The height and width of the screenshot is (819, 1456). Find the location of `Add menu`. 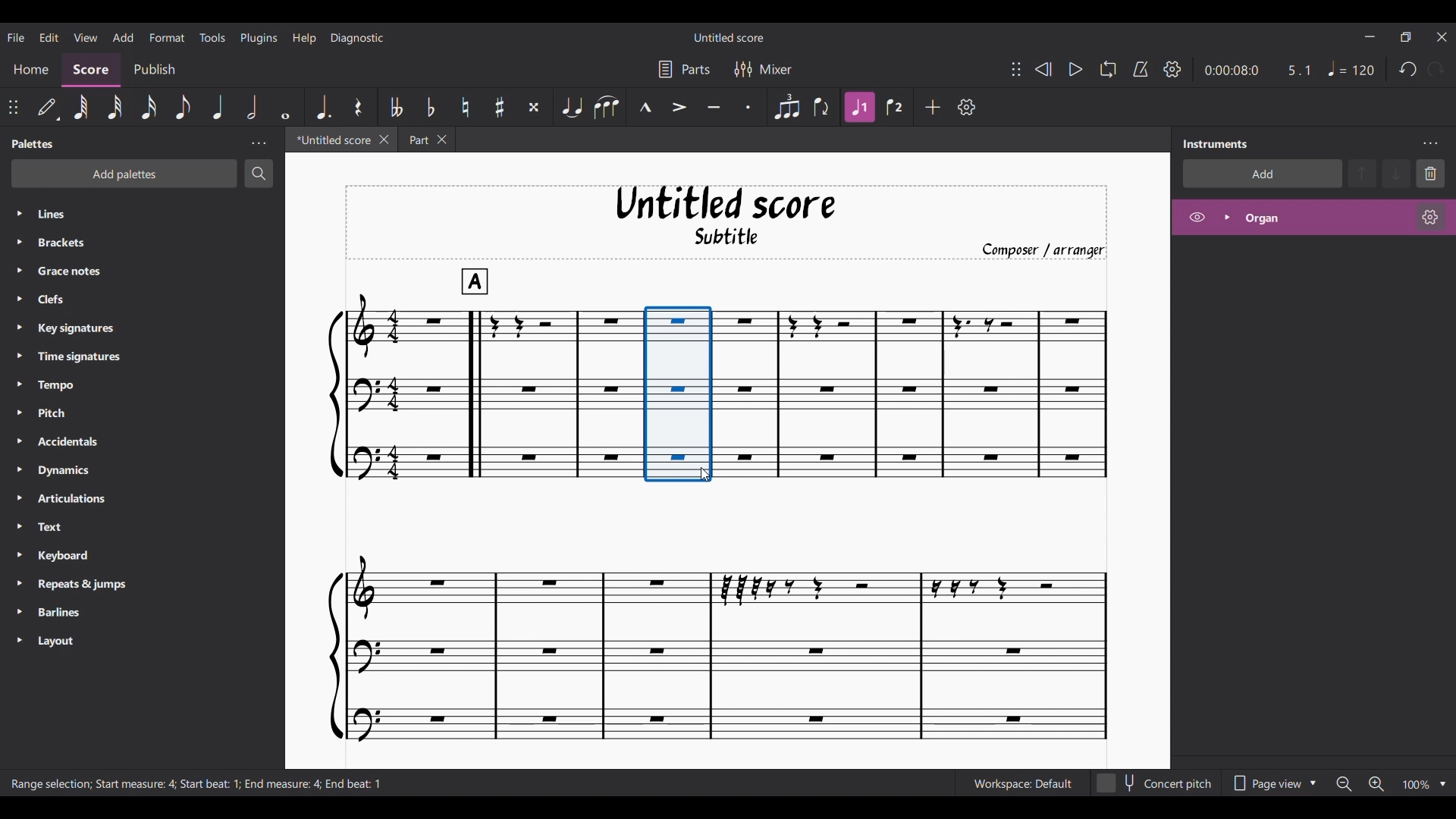

Add menu is located at coordinates (123, 35).